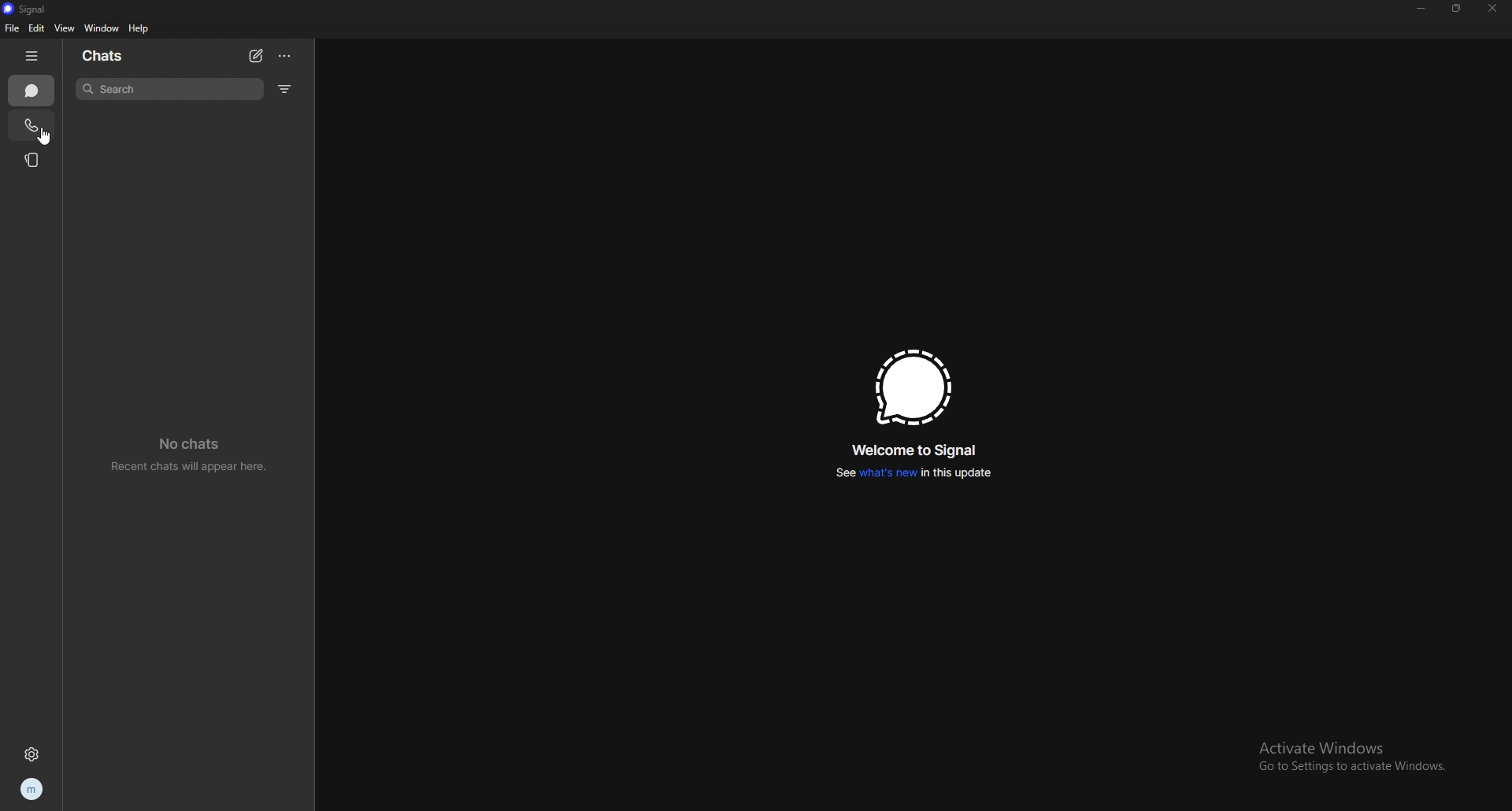  Describe the element at coordinates (102, 28) in the screenshot. I see `window` at that location.